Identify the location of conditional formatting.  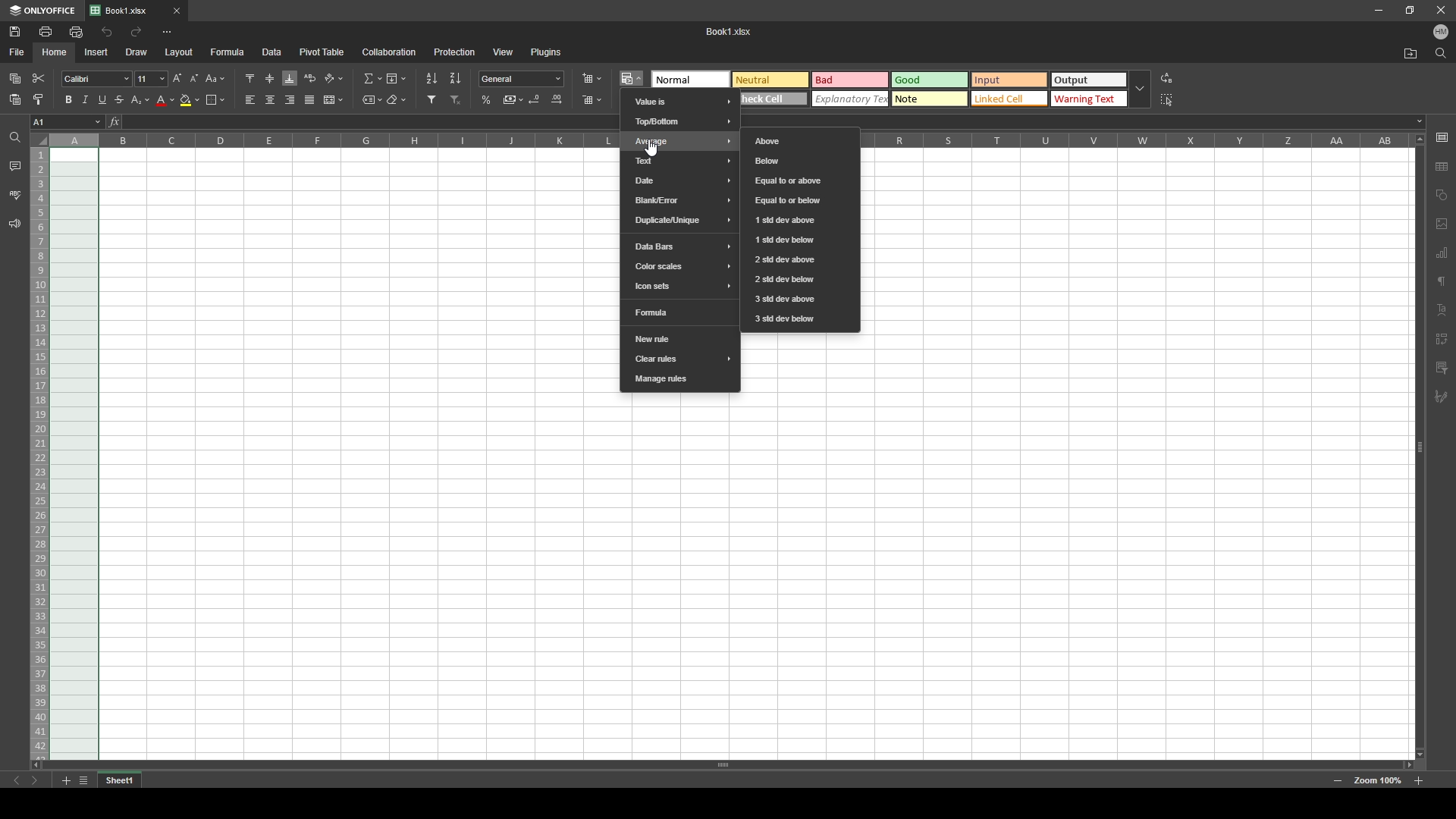
(632, 77).